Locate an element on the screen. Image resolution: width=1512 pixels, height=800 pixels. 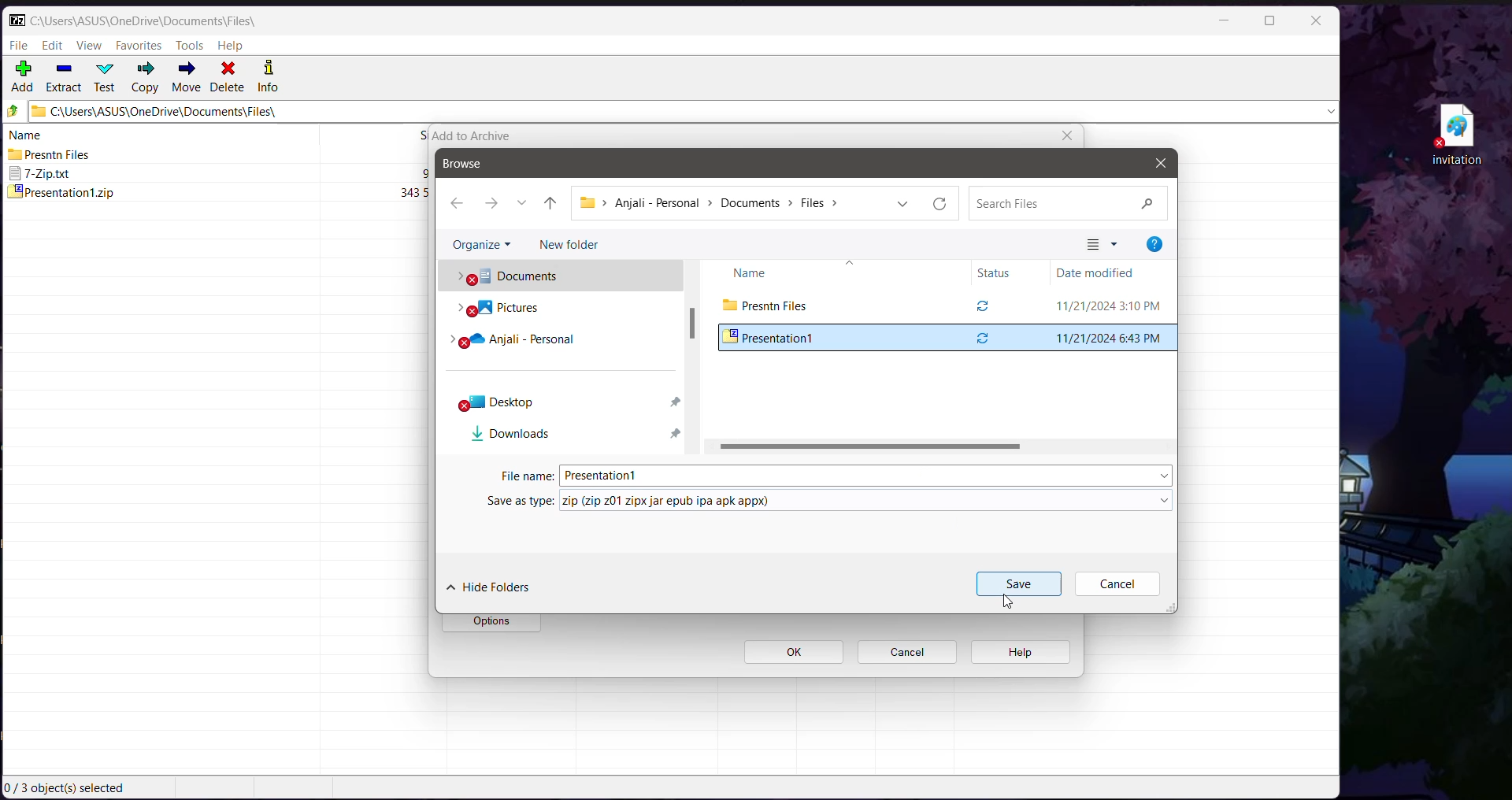
Close is located at coordinates (1315, 22).